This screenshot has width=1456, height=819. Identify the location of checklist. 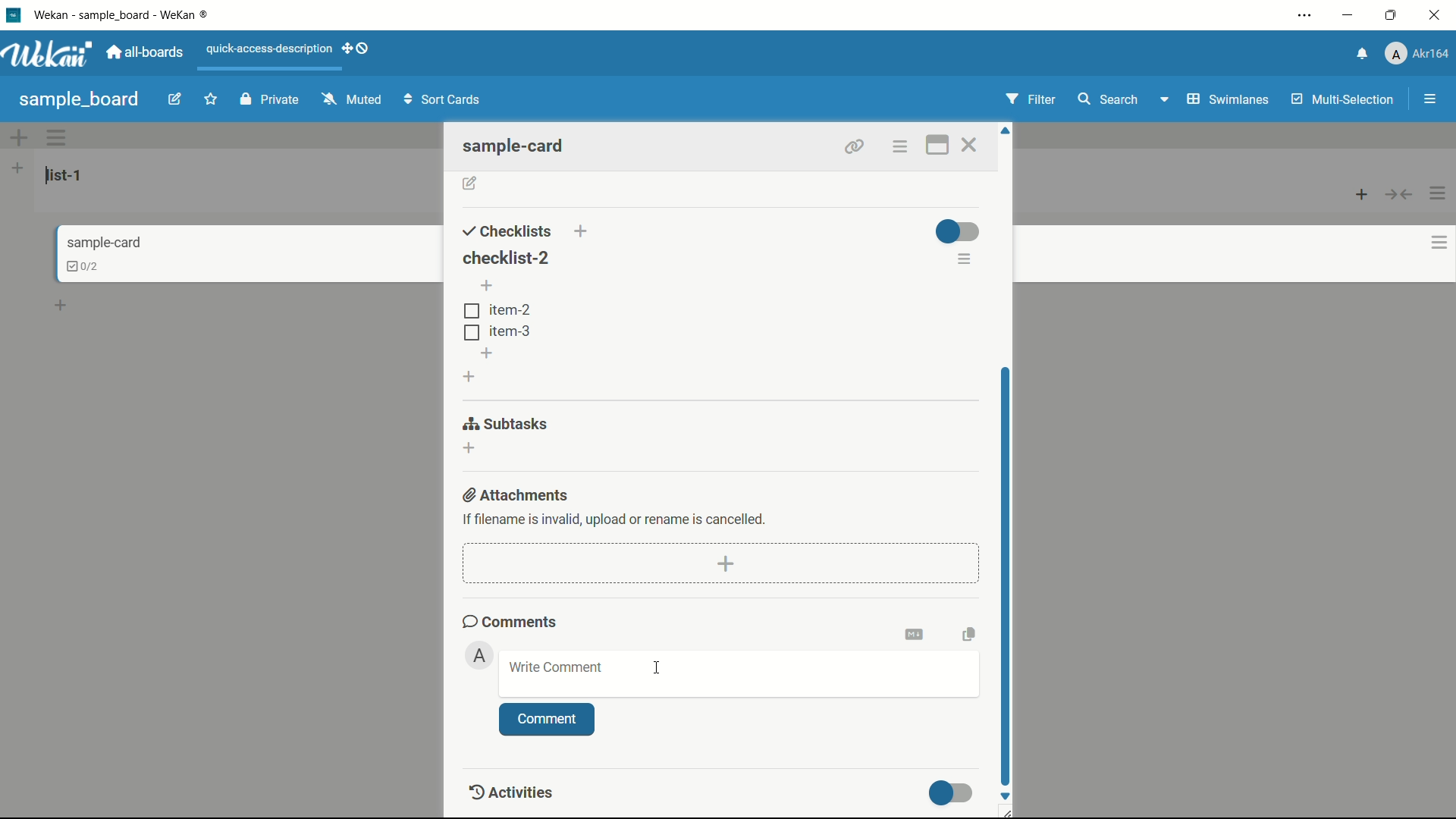
(74, 265).